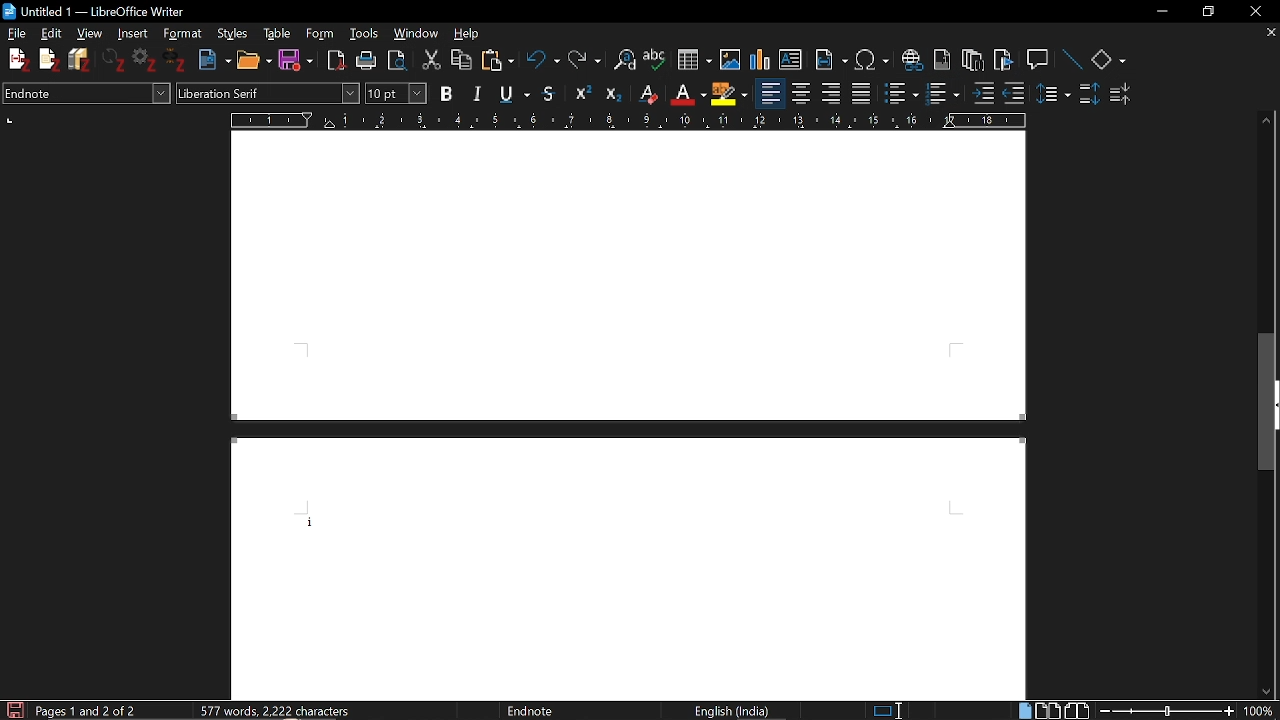  I want to click on Save, so click(294, 61).